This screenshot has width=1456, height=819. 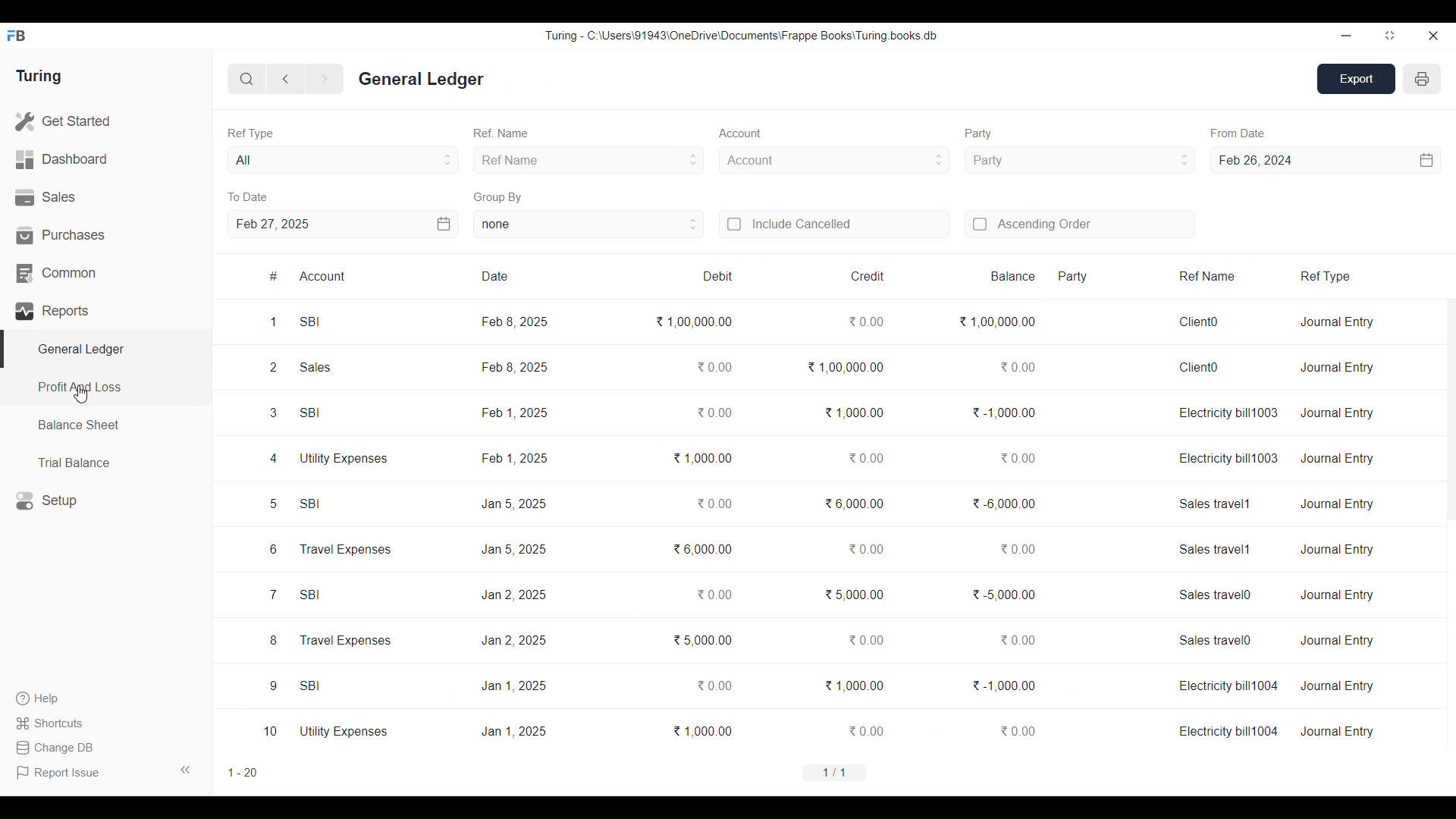 I want to click on Next, so click(x=325, y=80).